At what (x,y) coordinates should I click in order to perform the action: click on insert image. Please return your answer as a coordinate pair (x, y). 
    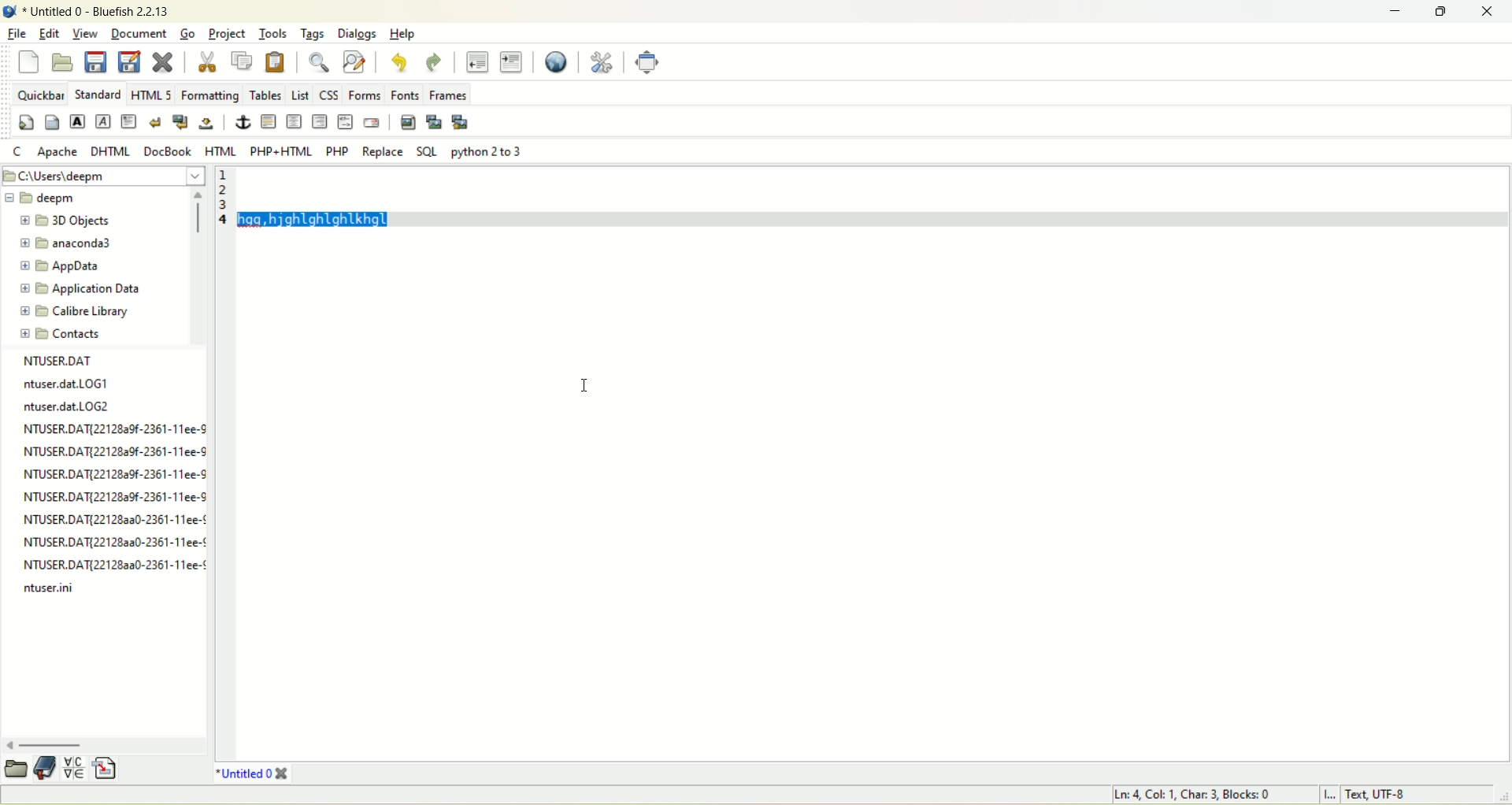
    Looking at the image, I should click on (408, 123).